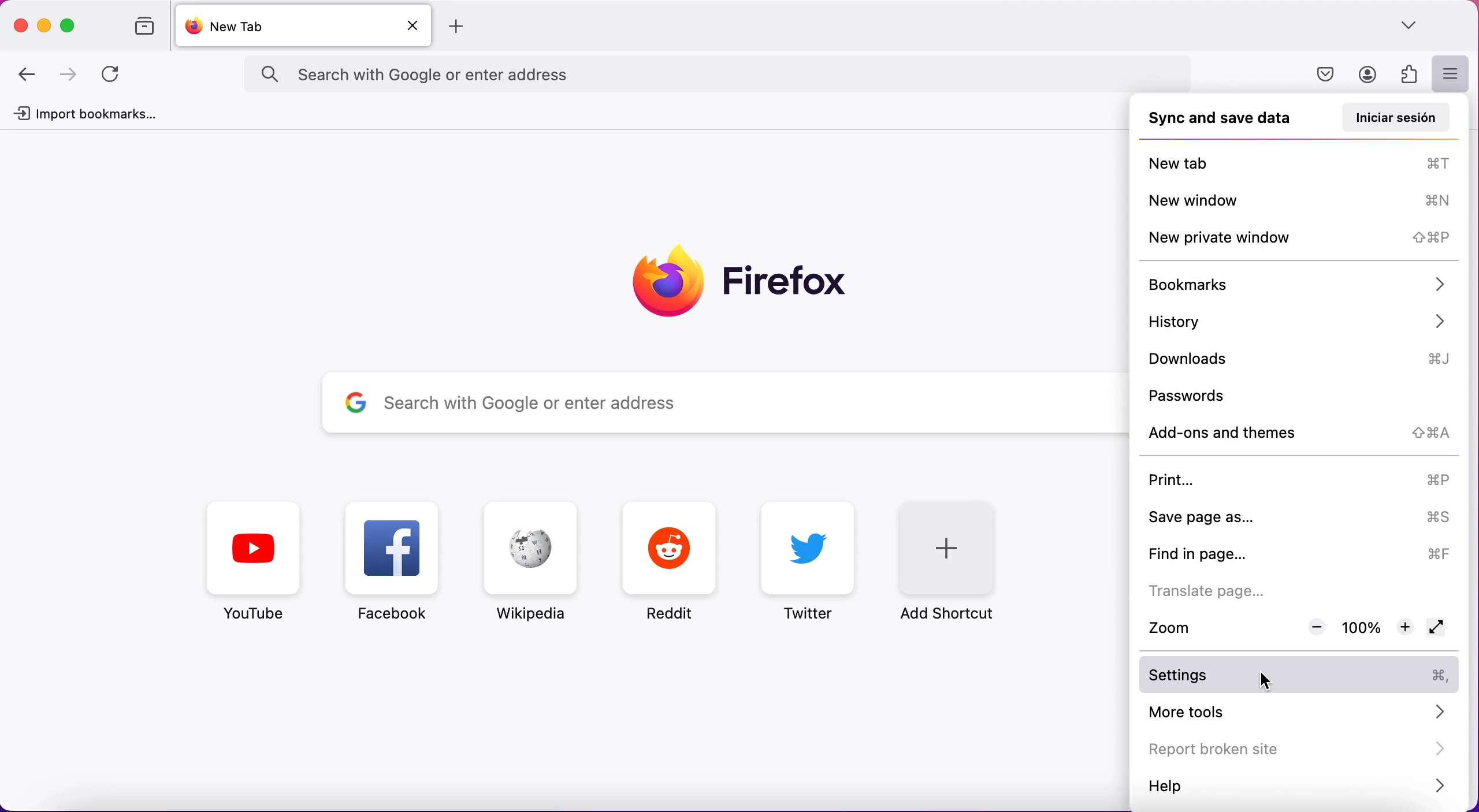 This screenshot has height=812, width=1479. Describe the element at coordinates (90, 115) in the screenshot. I see `import bookmarks` at that location.